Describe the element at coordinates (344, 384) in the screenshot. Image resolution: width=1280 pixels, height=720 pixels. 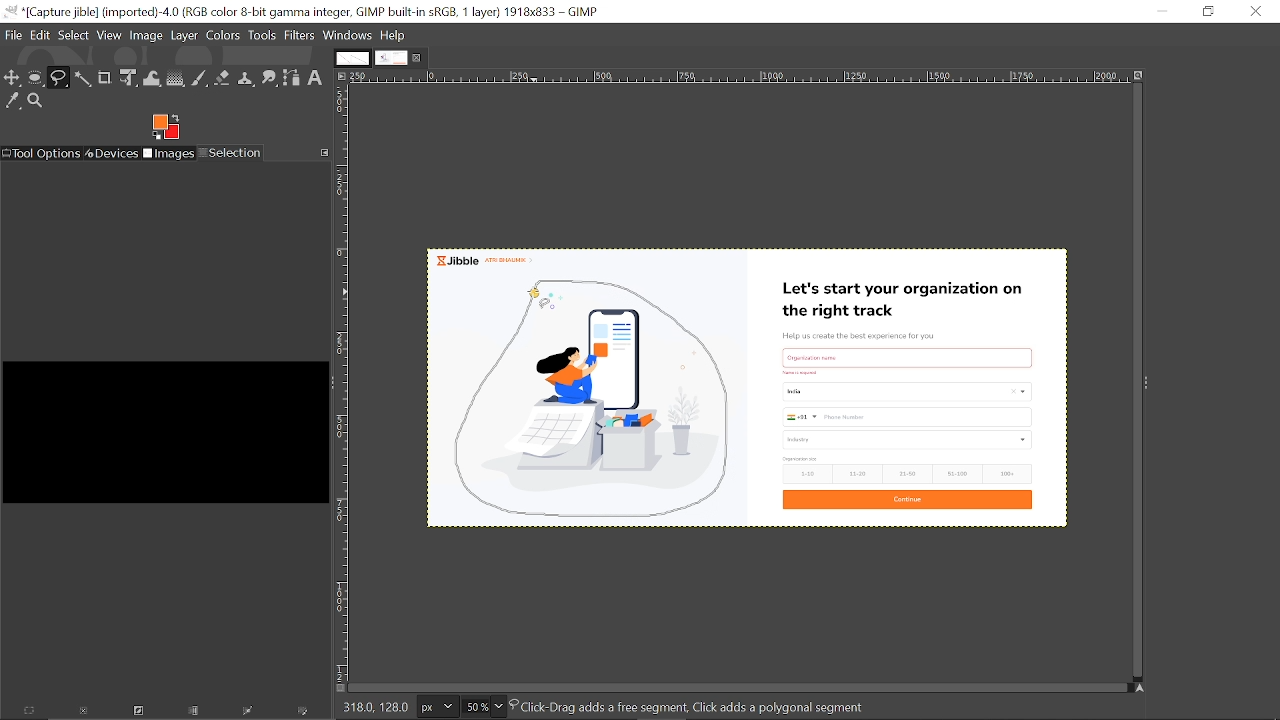
I see `Vertical label` at that location.